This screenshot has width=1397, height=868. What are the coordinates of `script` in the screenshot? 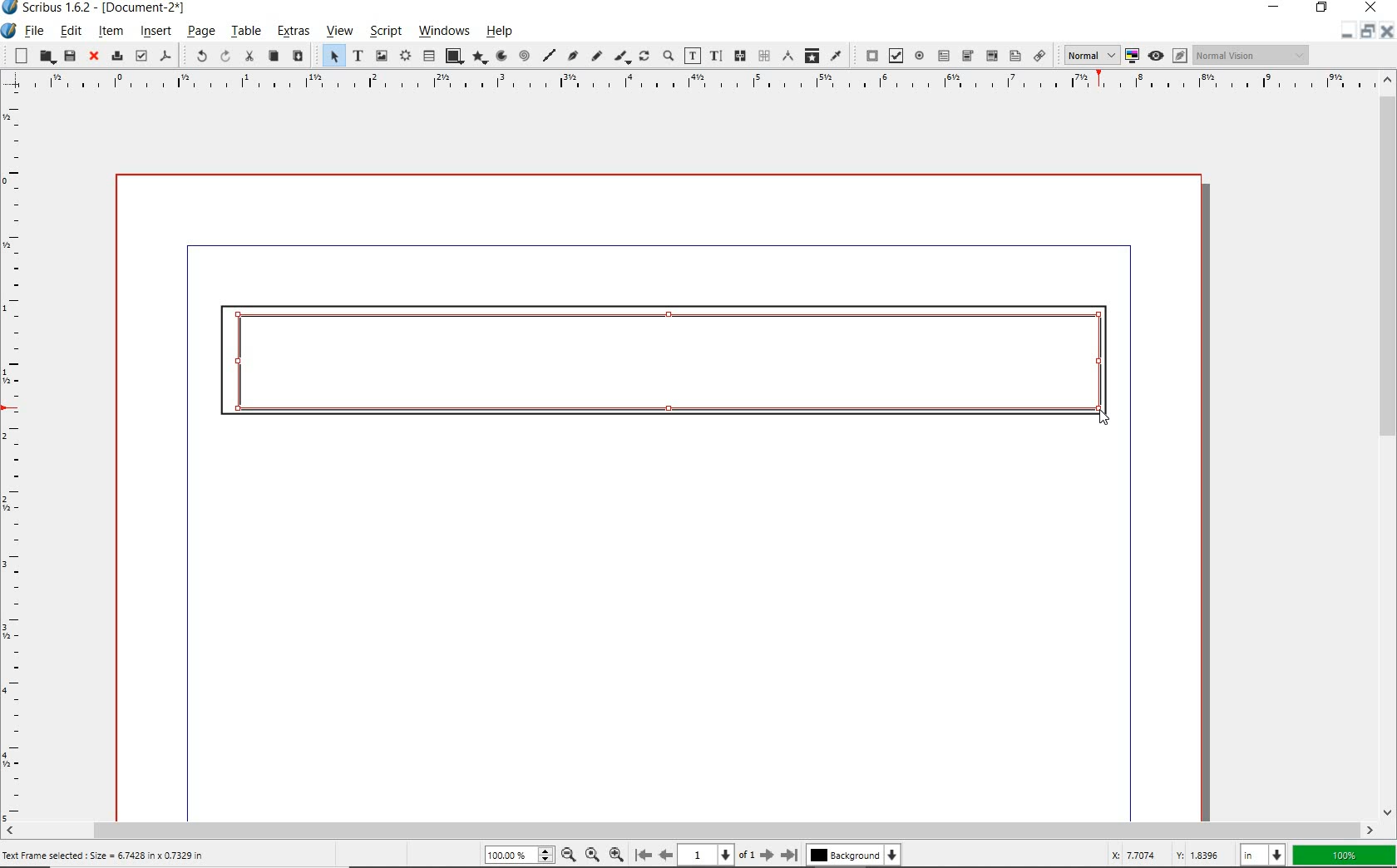 It's located at (384, 31).